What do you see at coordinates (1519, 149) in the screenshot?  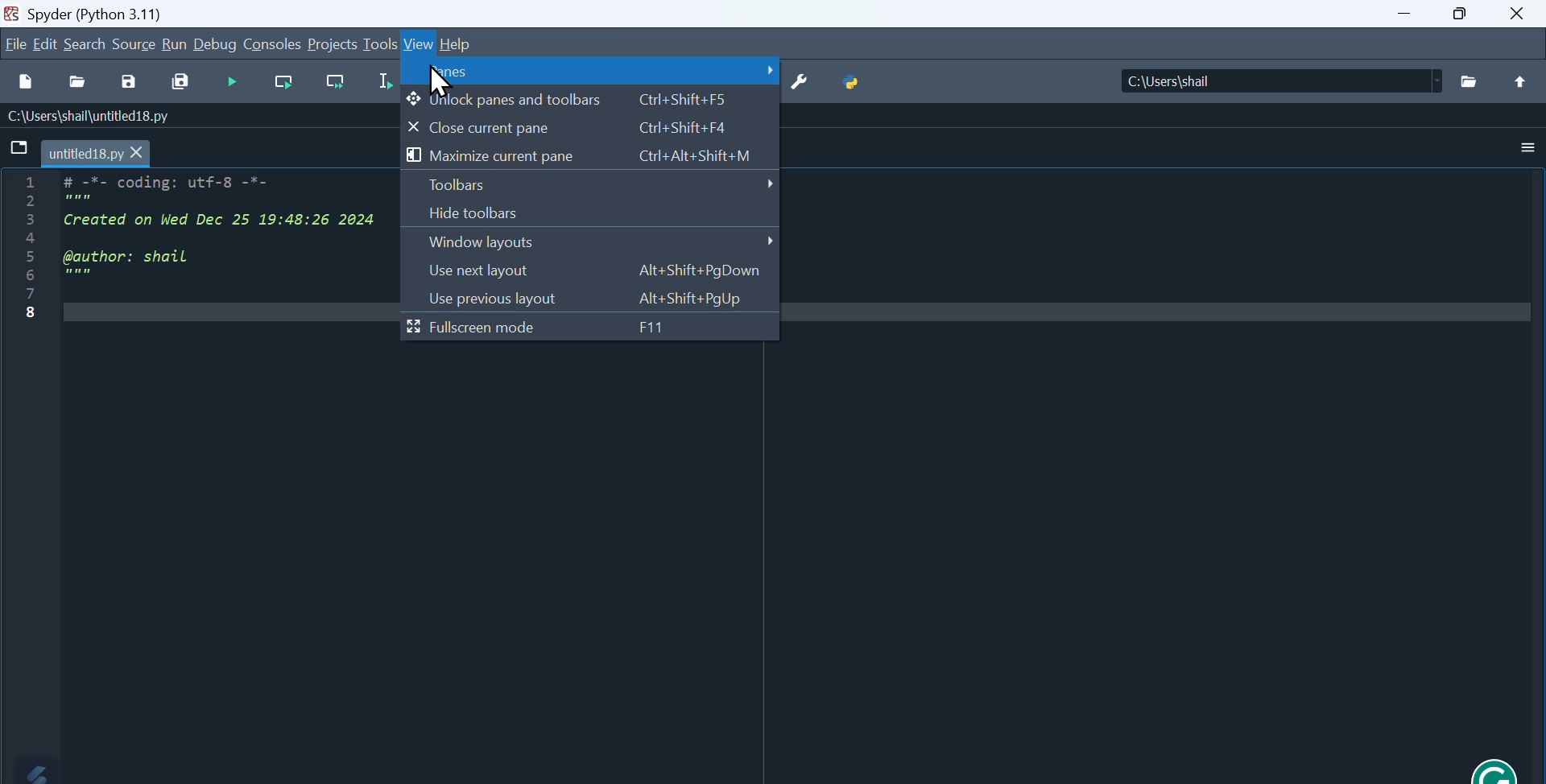 I see `More options` at bounding box center [1519, 149].